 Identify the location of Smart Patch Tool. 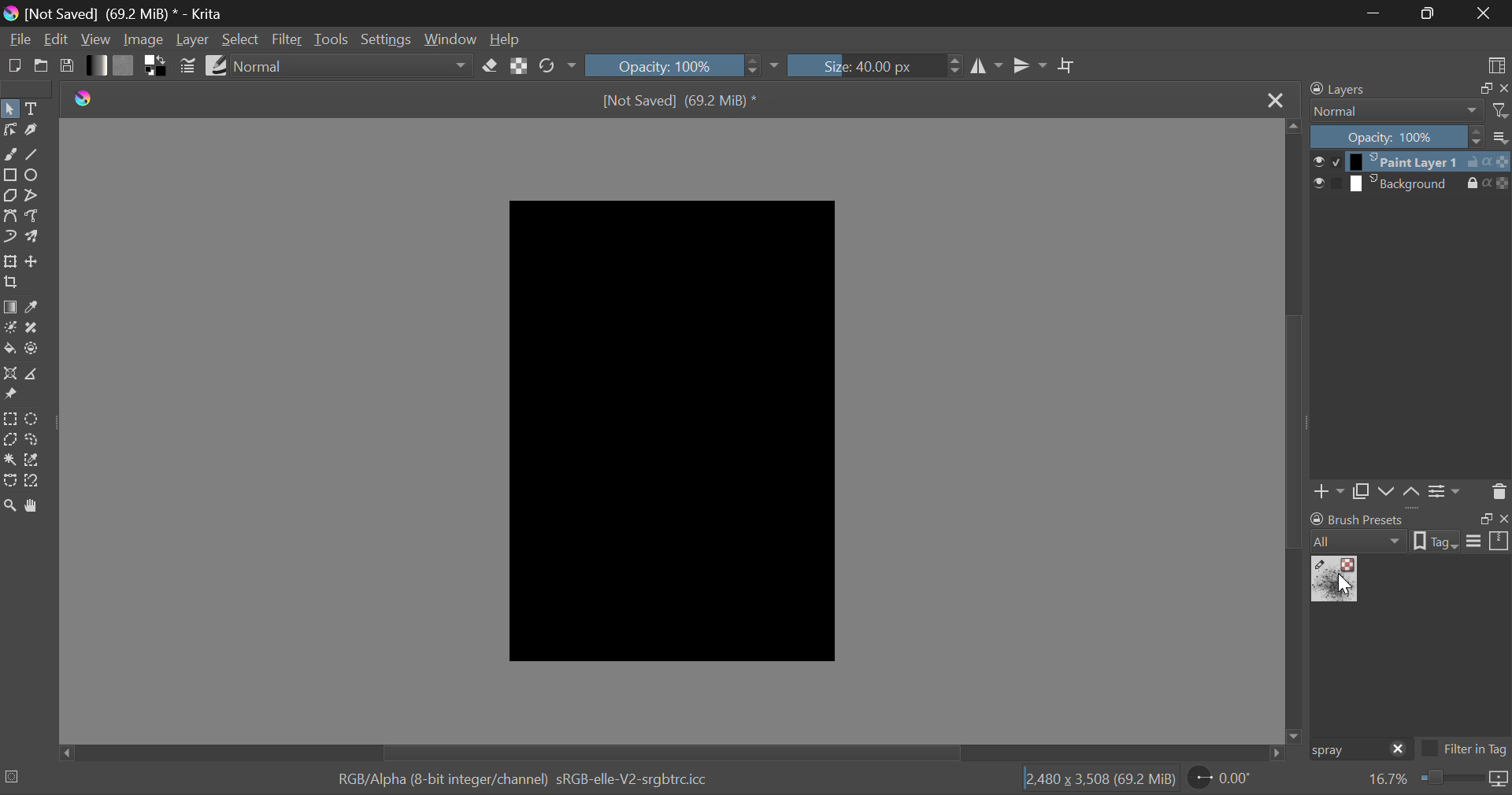
(32, 331).